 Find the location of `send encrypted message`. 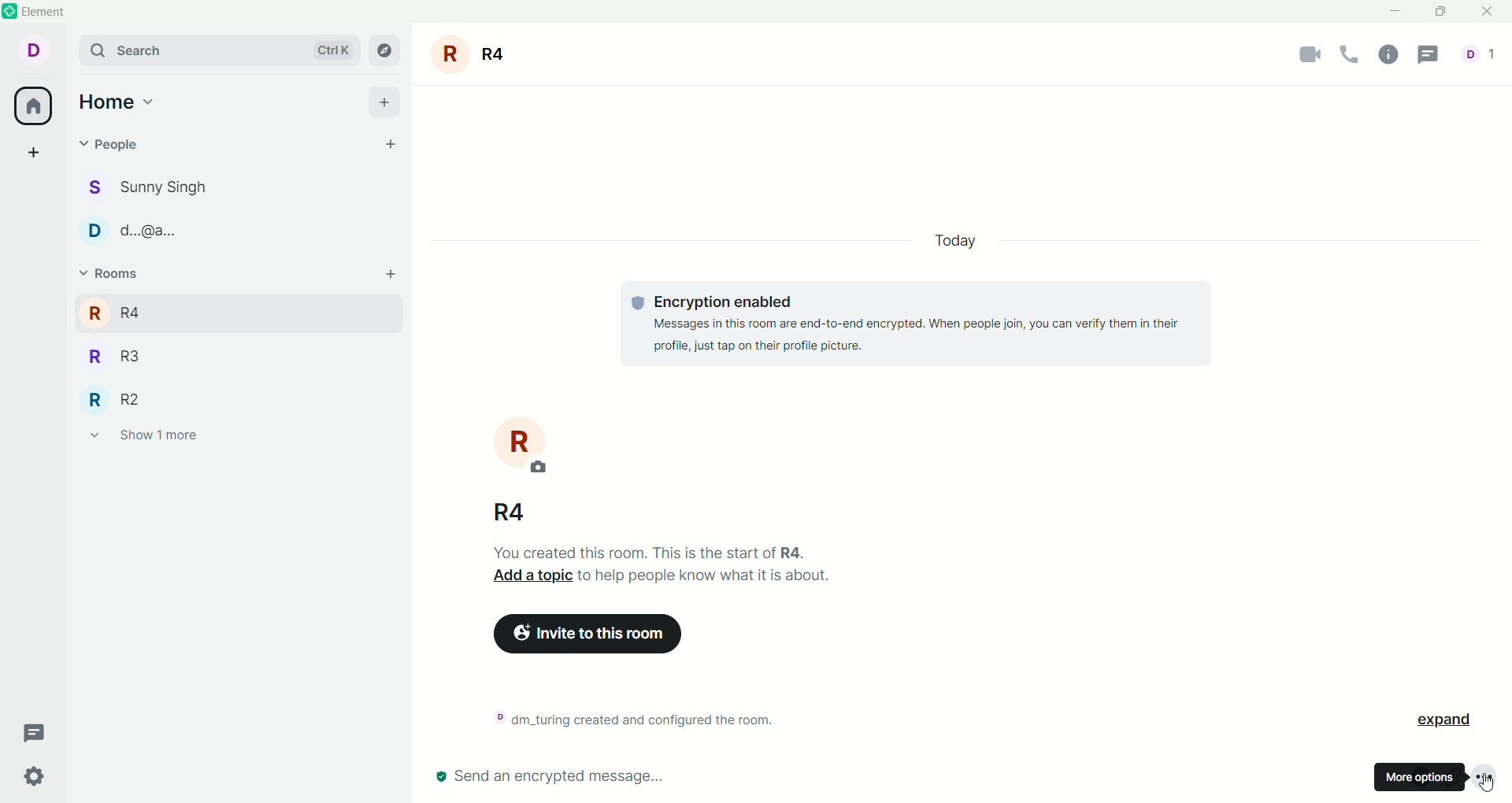

send encrypted message is located at coordinates (550, 778).